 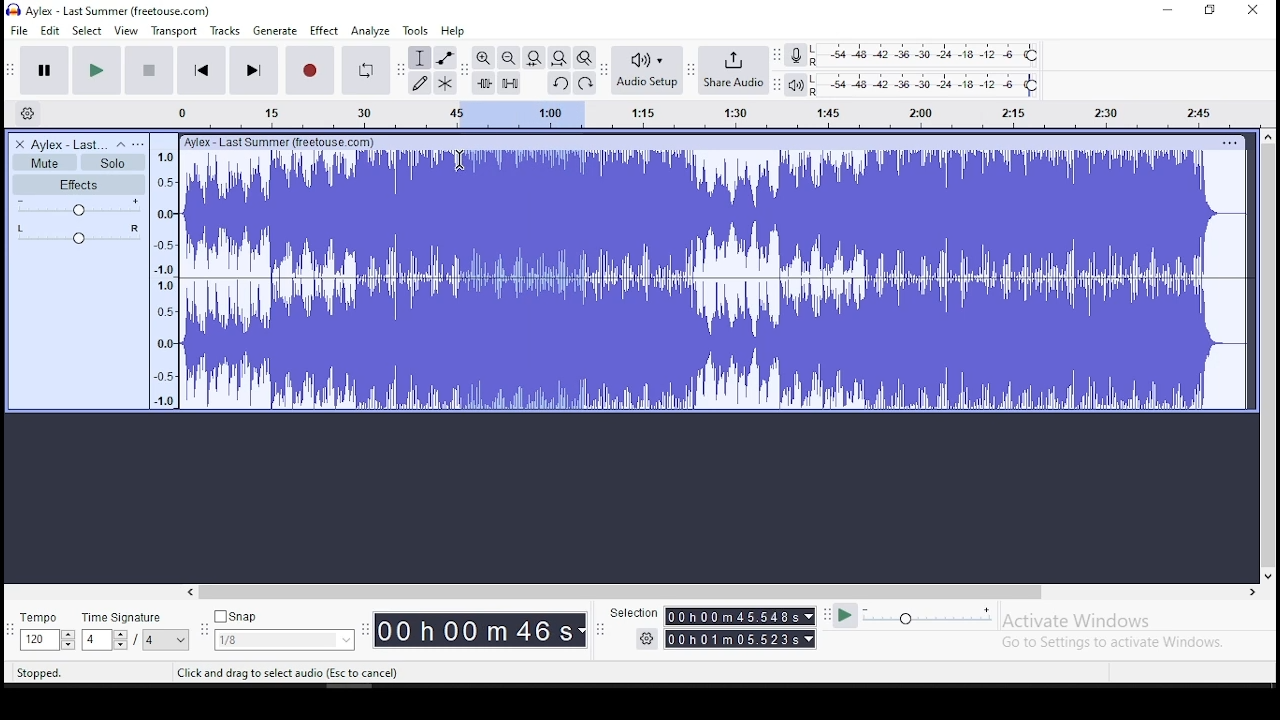 What do you see at coordinates (741, 616) in the screenshot?
I see `00h00m55.989s` at bounding box center [741, 616].